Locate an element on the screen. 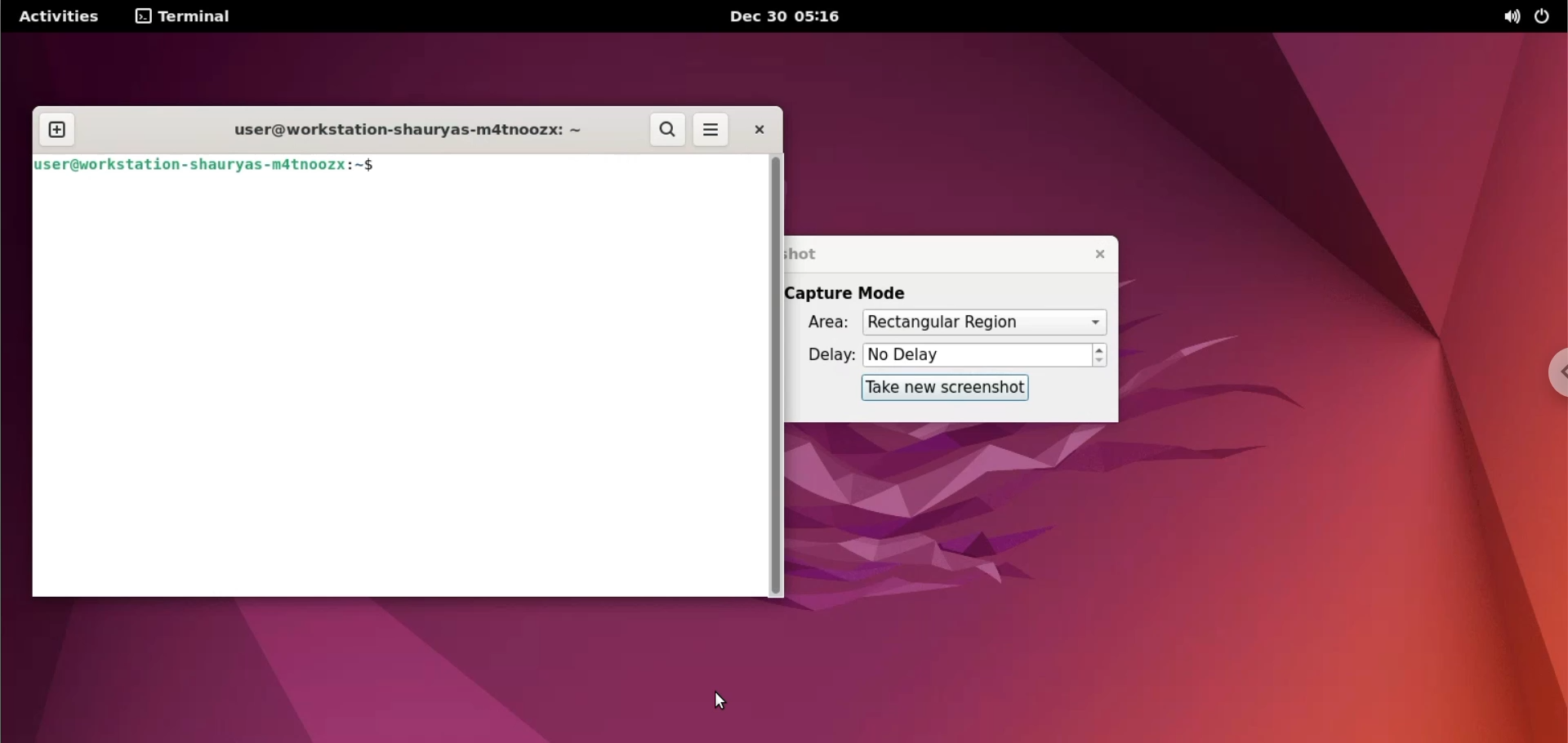 This screenshot has height=743, width=1568. Activities is located at coordinates (62, 17).